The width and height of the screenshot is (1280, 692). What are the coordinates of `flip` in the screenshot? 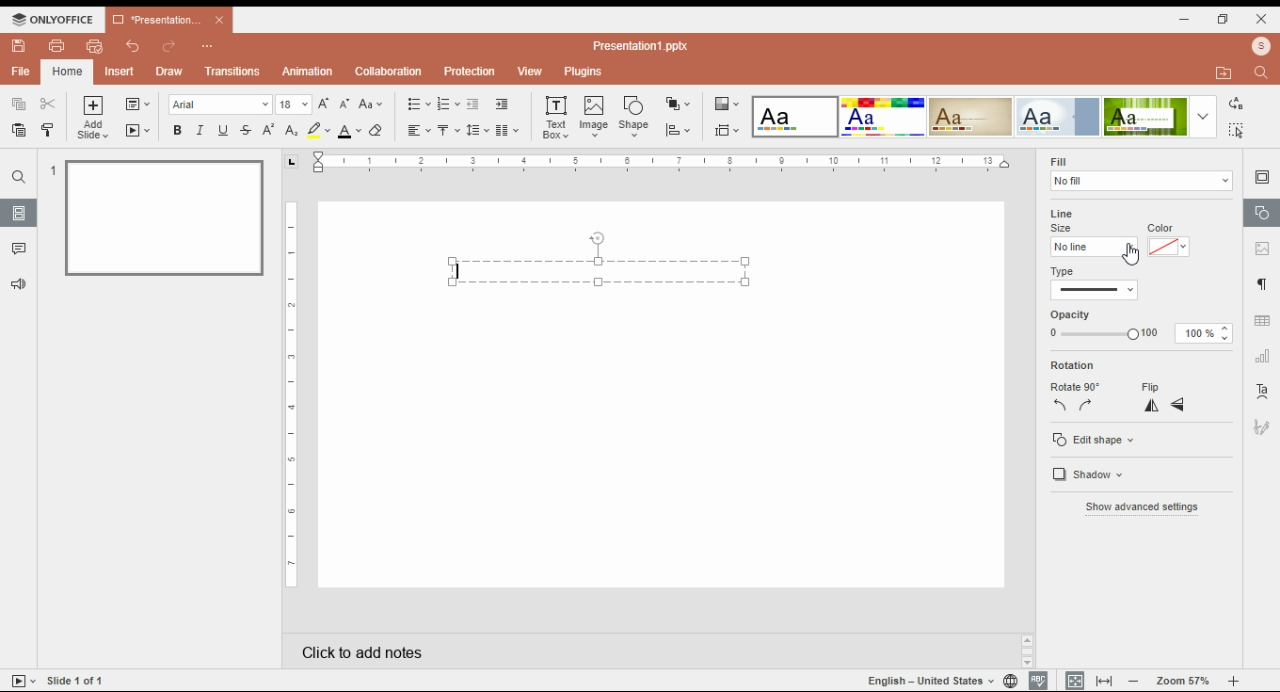 It's located at (1150, 387).